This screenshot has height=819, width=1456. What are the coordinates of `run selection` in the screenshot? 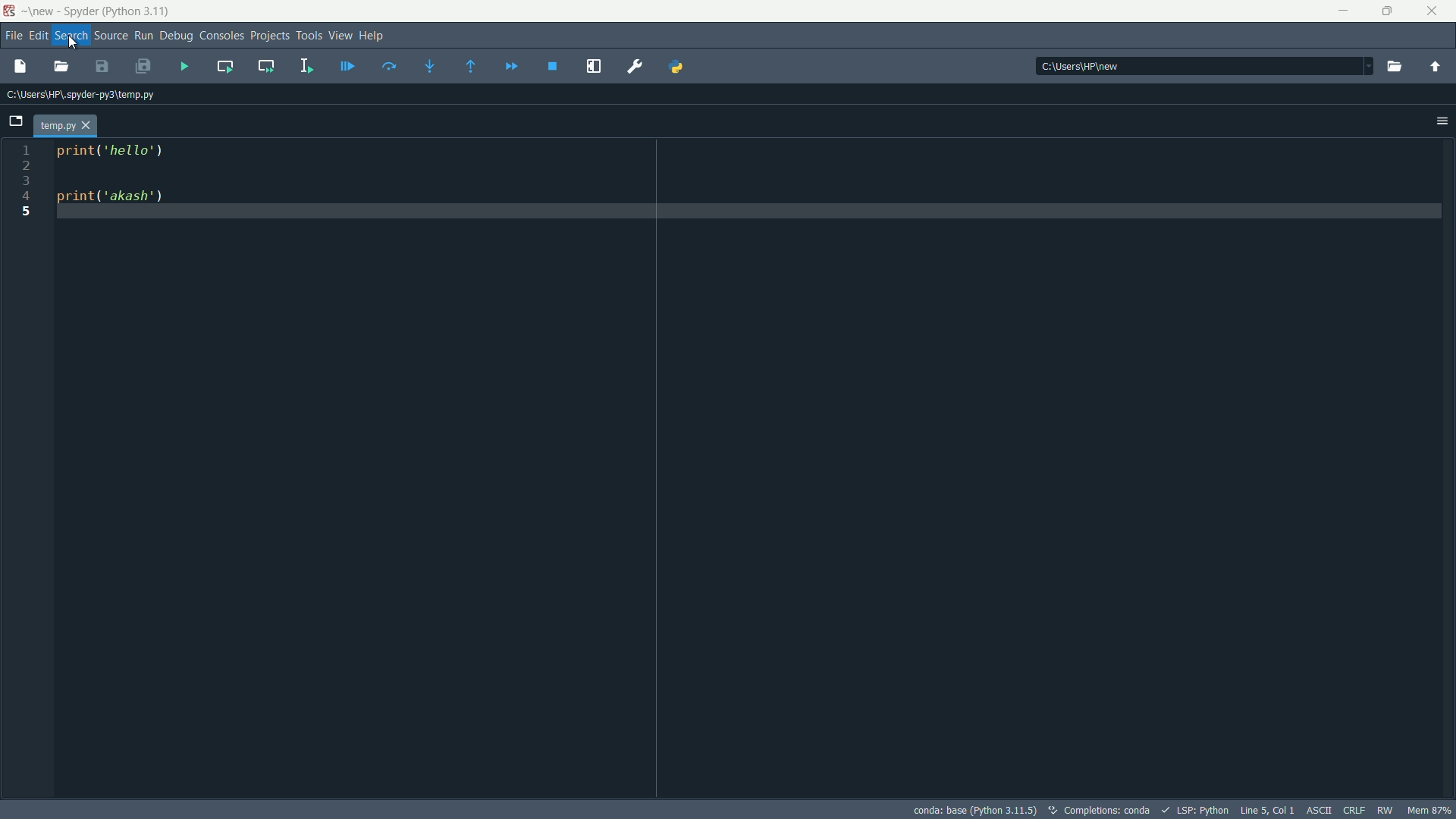 It's located at (306, 66).